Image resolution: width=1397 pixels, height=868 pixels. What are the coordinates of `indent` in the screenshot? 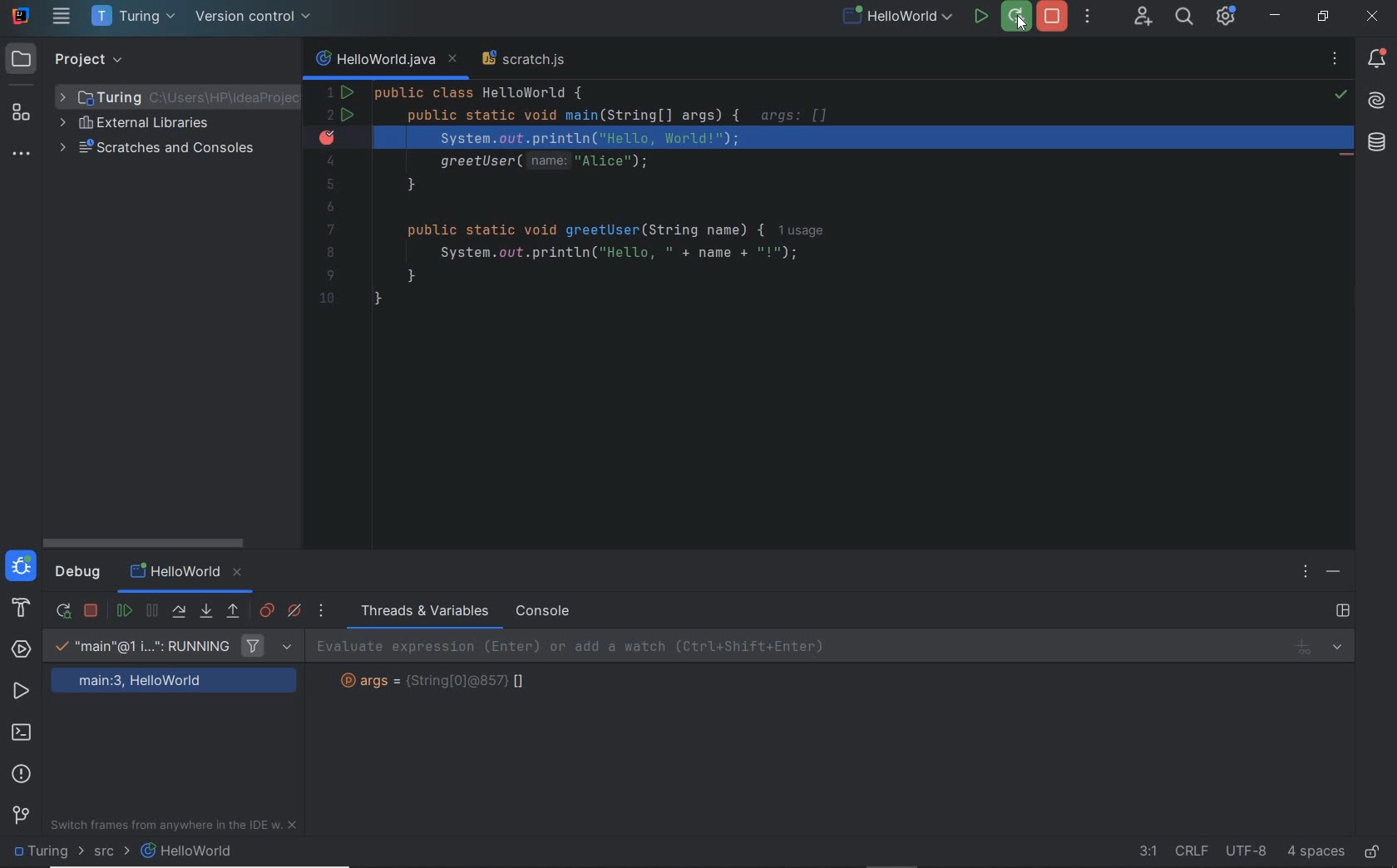 It's located at (1316, 851).